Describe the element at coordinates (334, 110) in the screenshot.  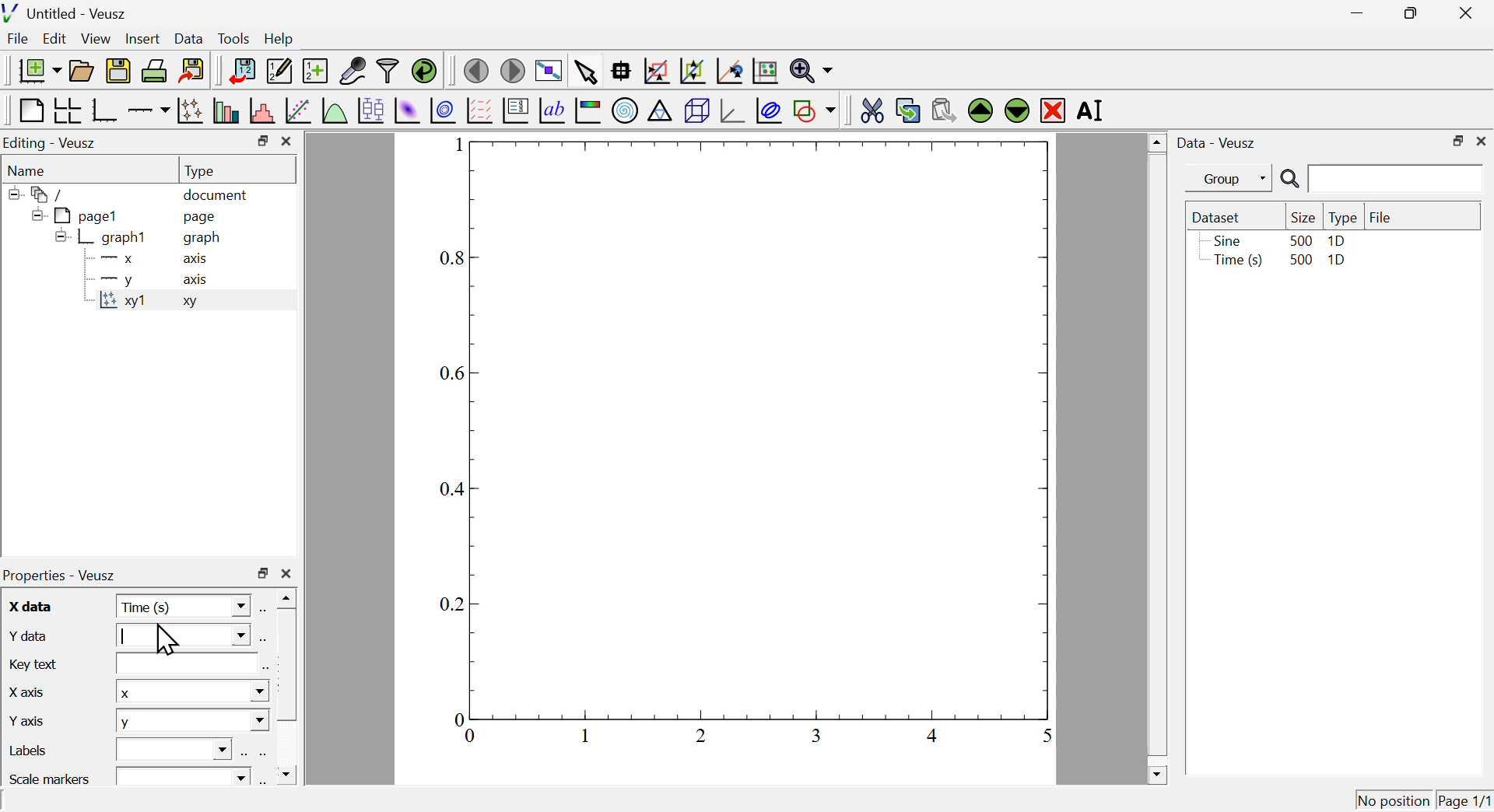
I see `plot a function` at that location.